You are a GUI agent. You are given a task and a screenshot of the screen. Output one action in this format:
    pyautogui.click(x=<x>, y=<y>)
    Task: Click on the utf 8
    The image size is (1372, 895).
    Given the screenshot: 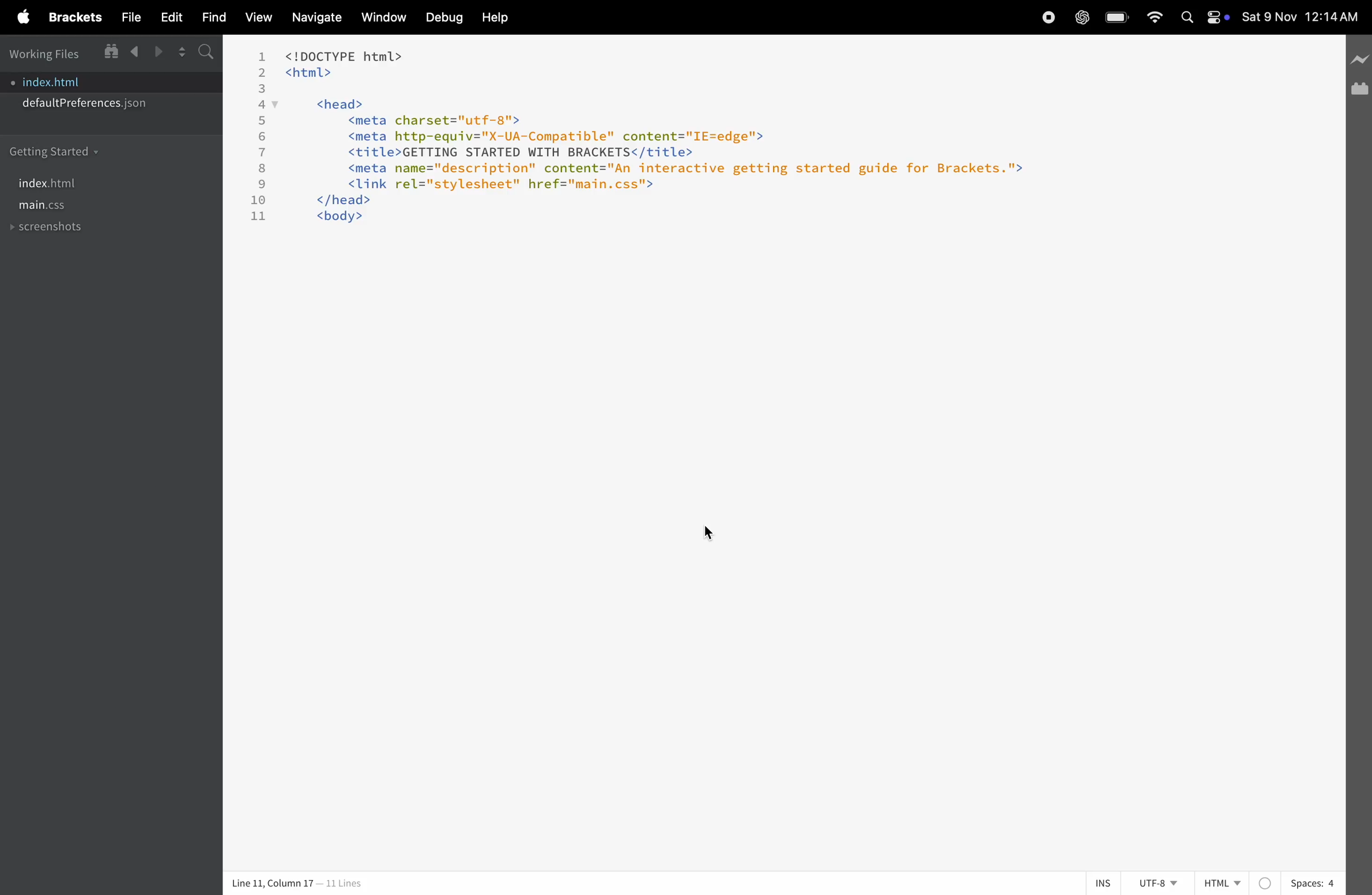 What is the action you would take?
    pyautogui.click(x=1160, y=883)
    